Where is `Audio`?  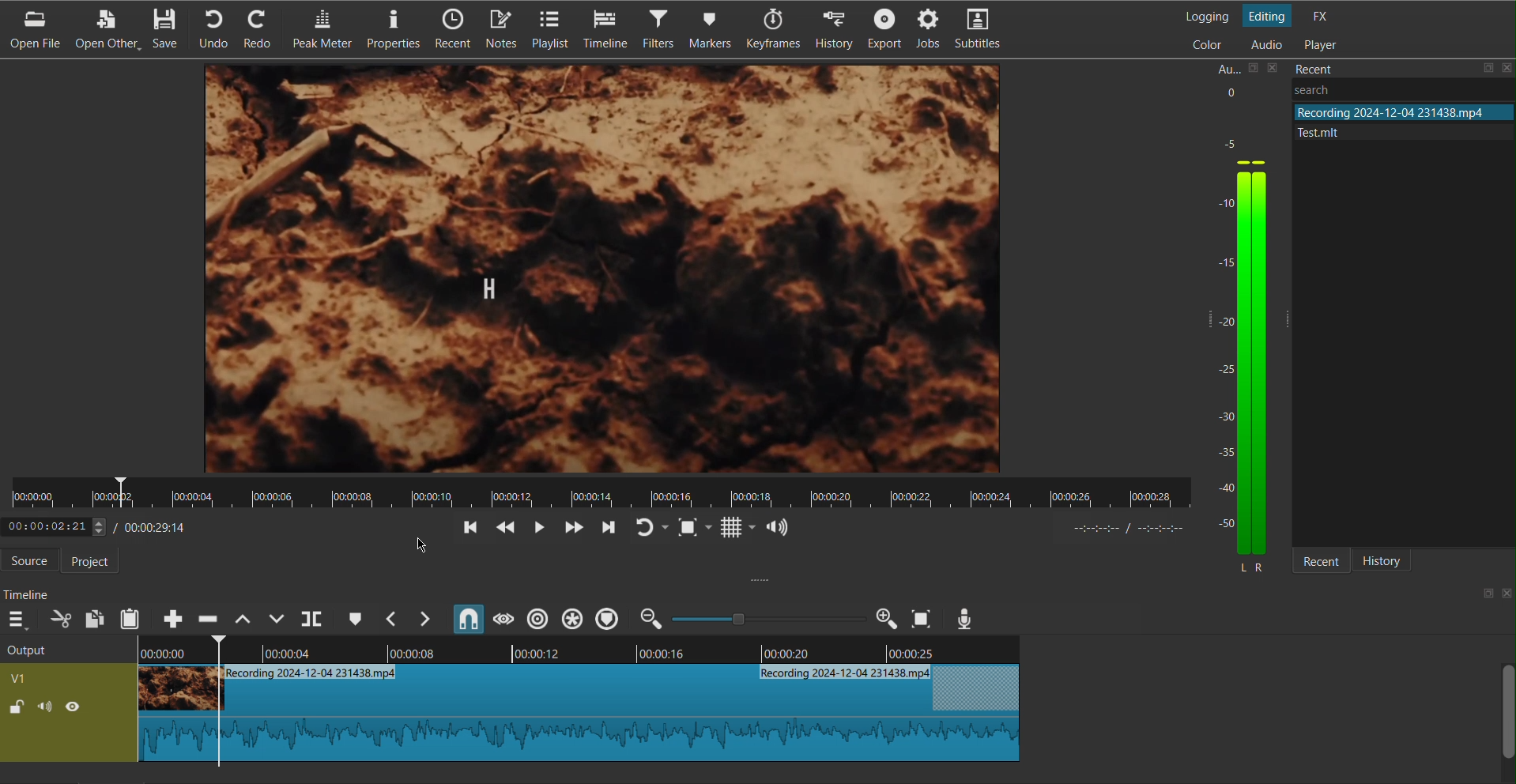 Audio is located at coordinates (1265, 45).